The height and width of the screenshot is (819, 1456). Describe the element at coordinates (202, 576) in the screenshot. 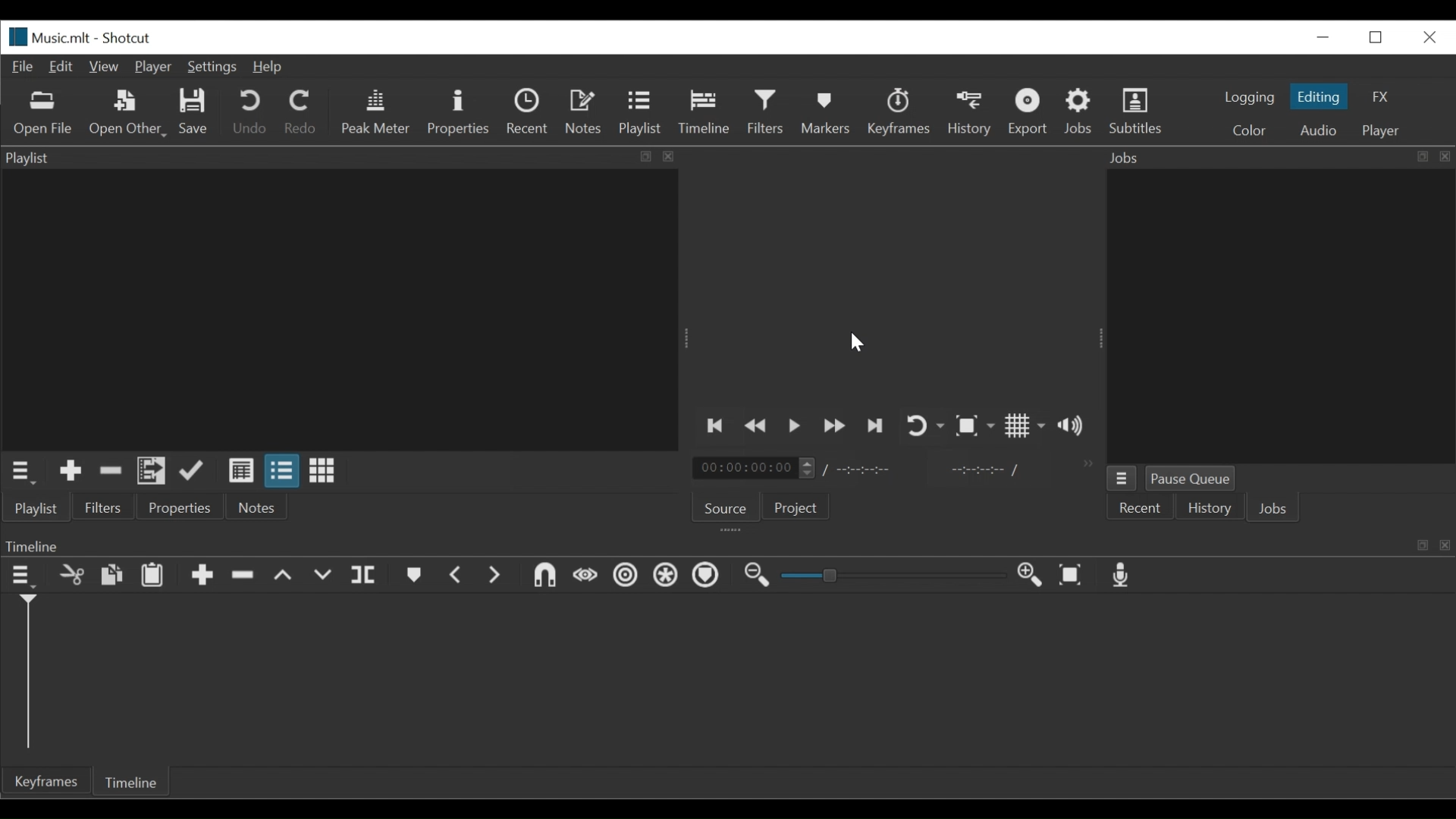

I see `Append` at that location.